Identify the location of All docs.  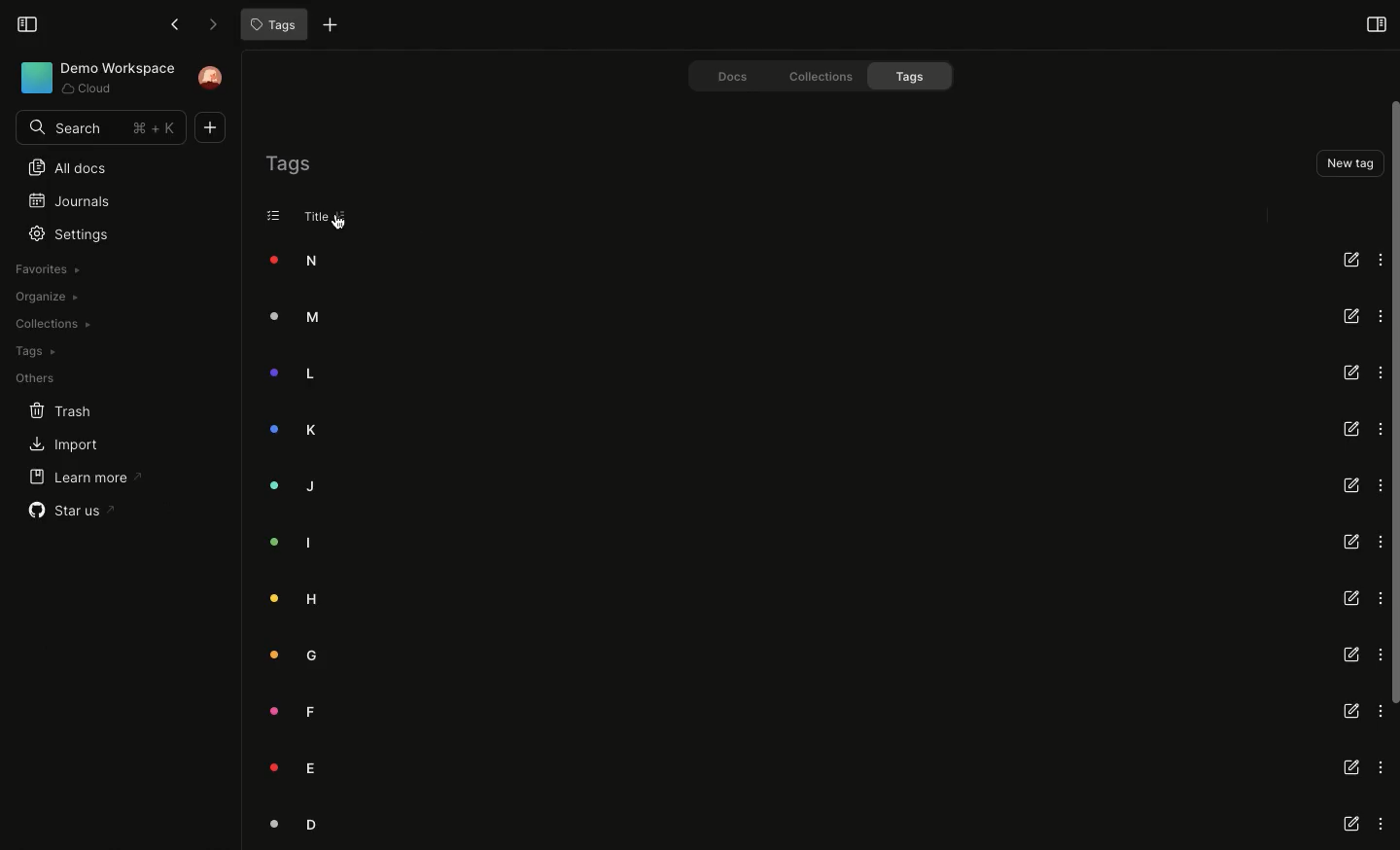
(60, 169).